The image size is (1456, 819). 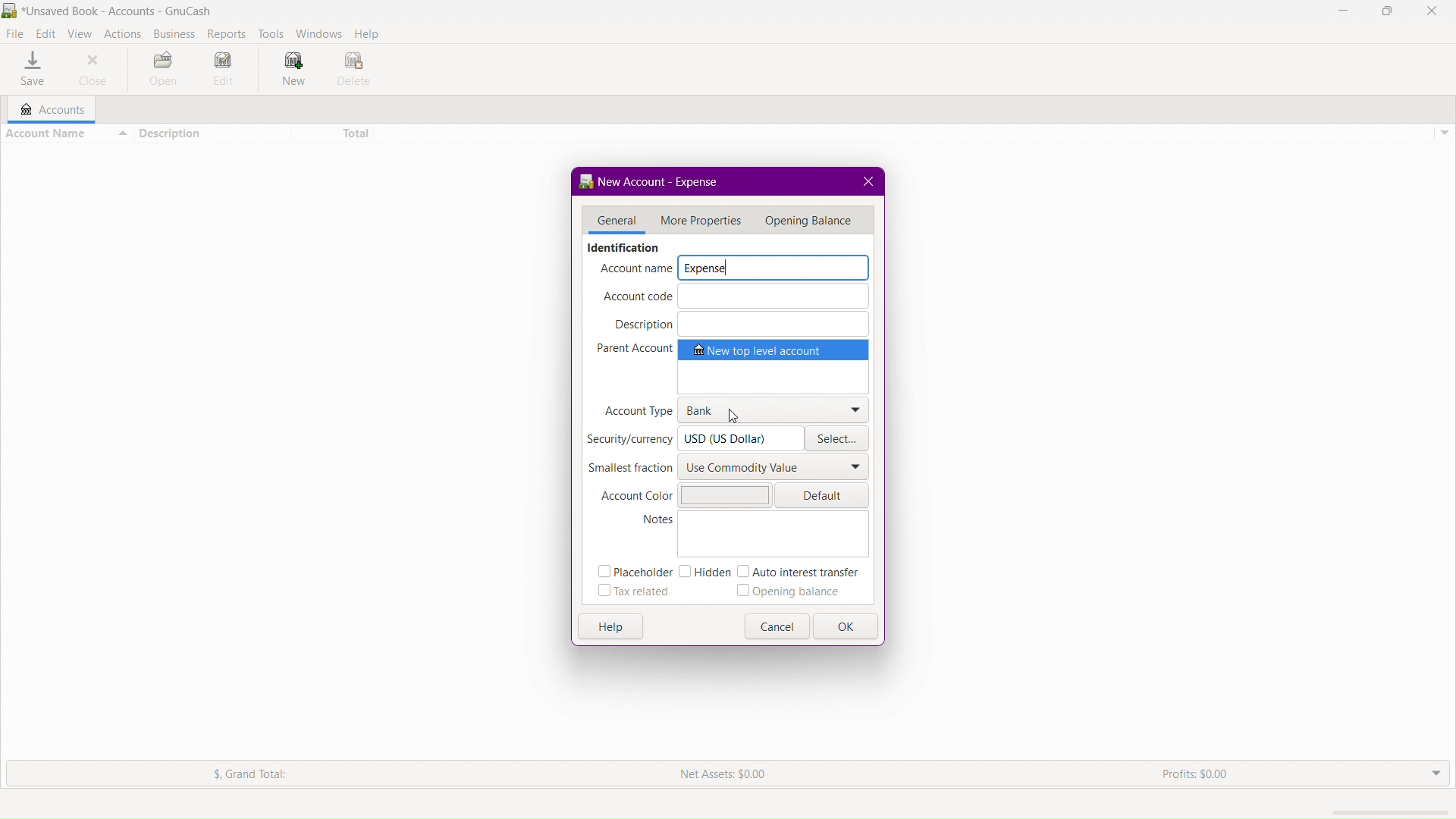 I want to click on Accounts, so click(x=47, y=109).